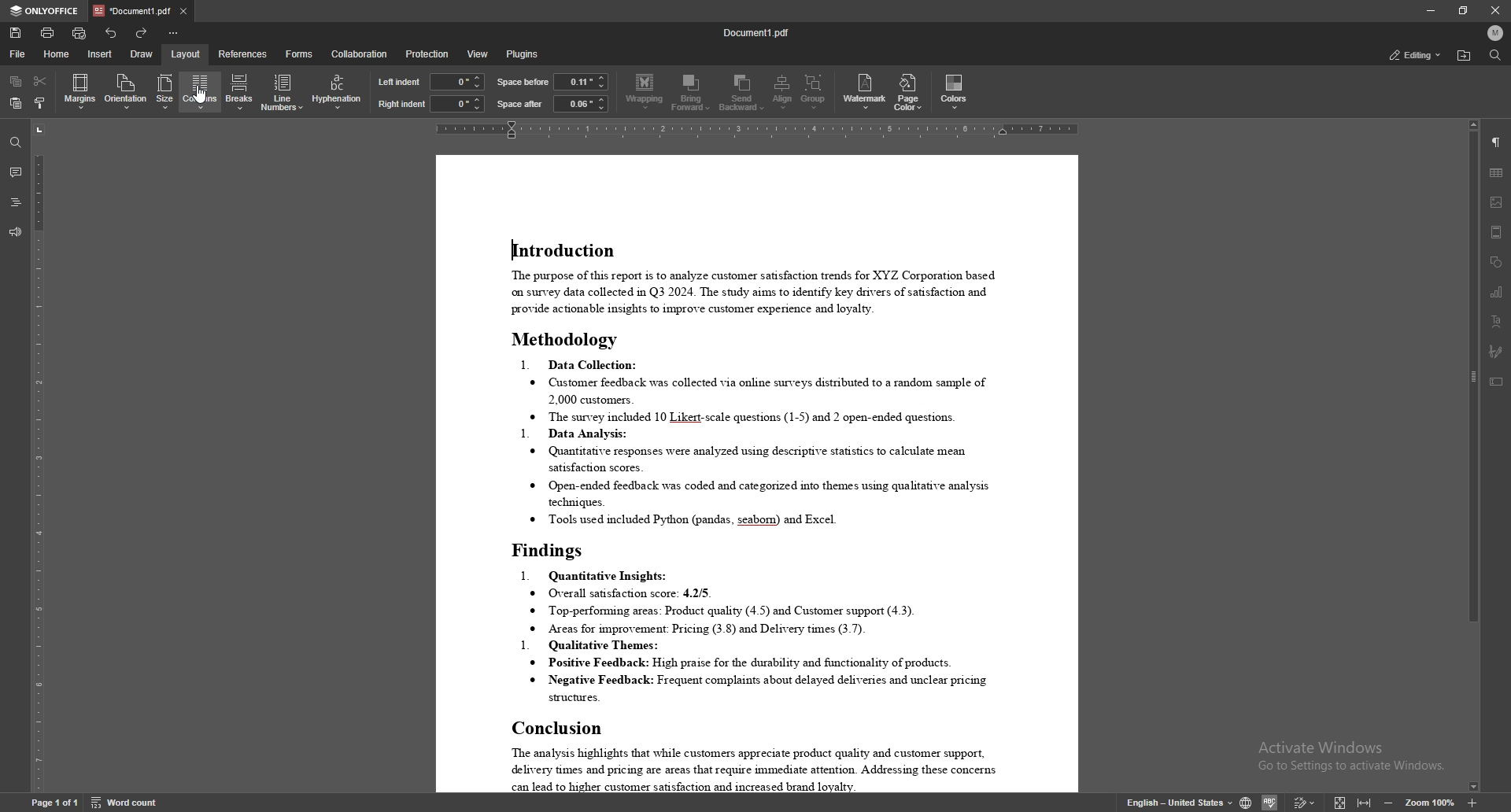 The height and width of the screenshot is (812, 1511). What do you see at coordinates (1496, 32) in the screenshot?
I see `profile` at bounding box center [1496, 32].